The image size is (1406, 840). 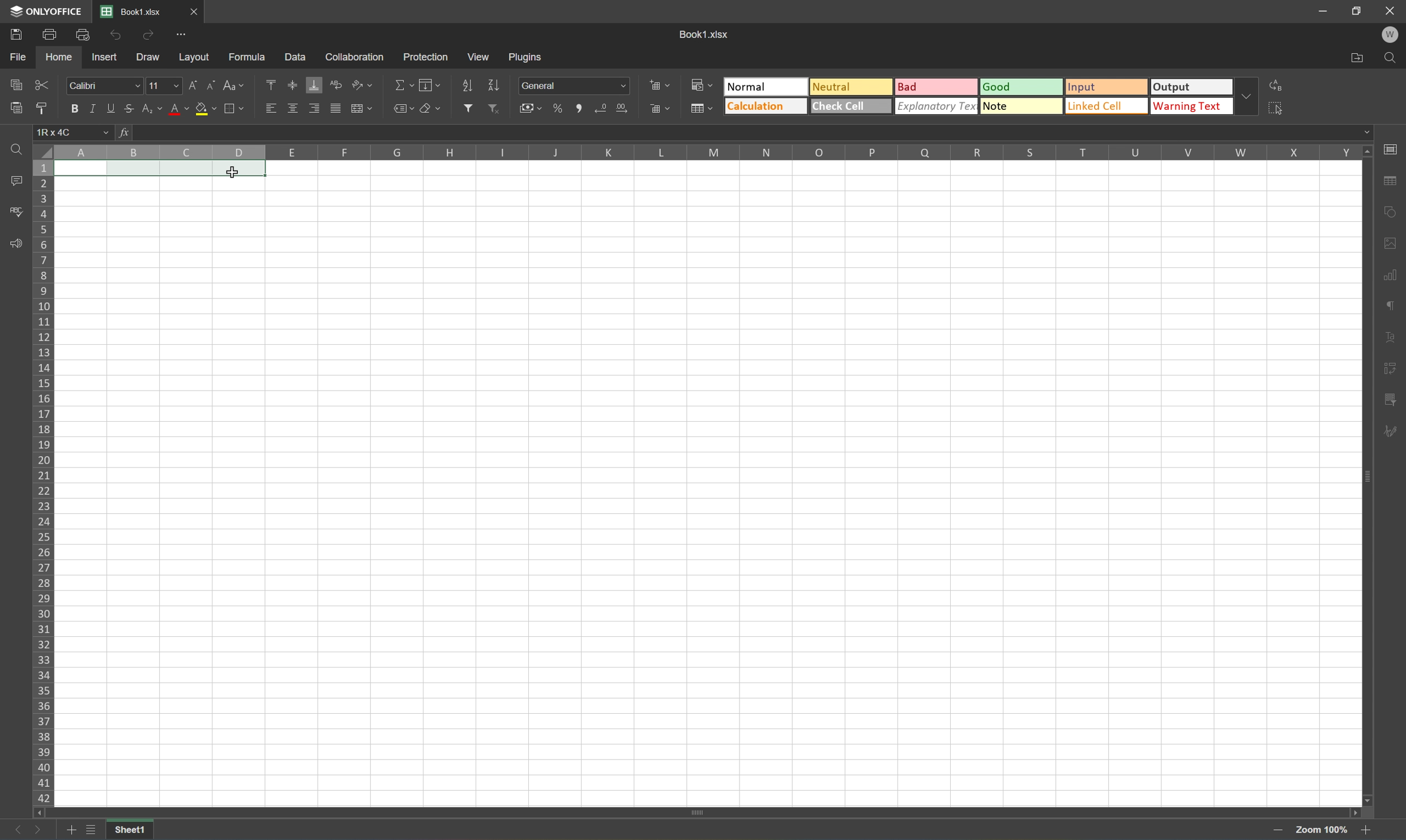 I want to click on Close, so click(x=193, y=10).